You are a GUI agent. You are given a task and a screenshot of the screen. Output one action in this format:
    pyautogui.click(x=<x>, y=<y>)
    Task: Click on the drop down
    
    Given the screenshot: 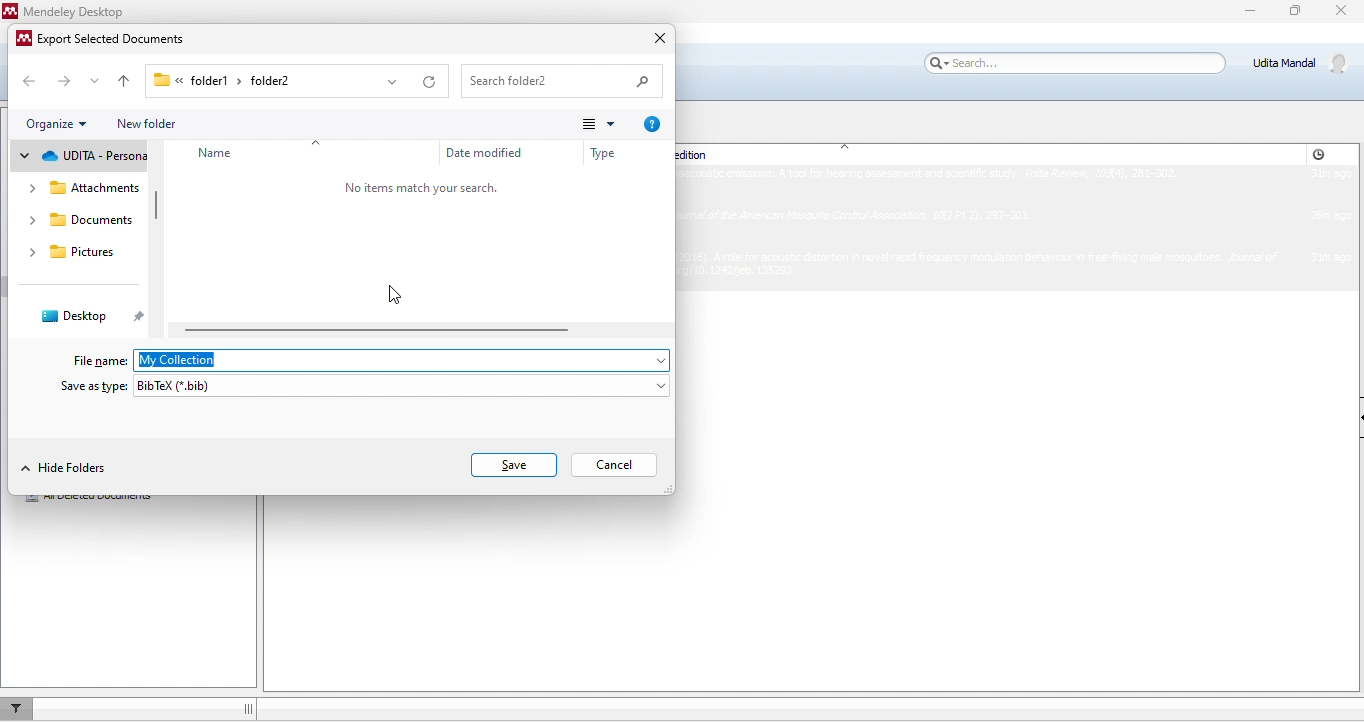 What is the action you would take?
    pyautogui.click(x=319, y=138)
    